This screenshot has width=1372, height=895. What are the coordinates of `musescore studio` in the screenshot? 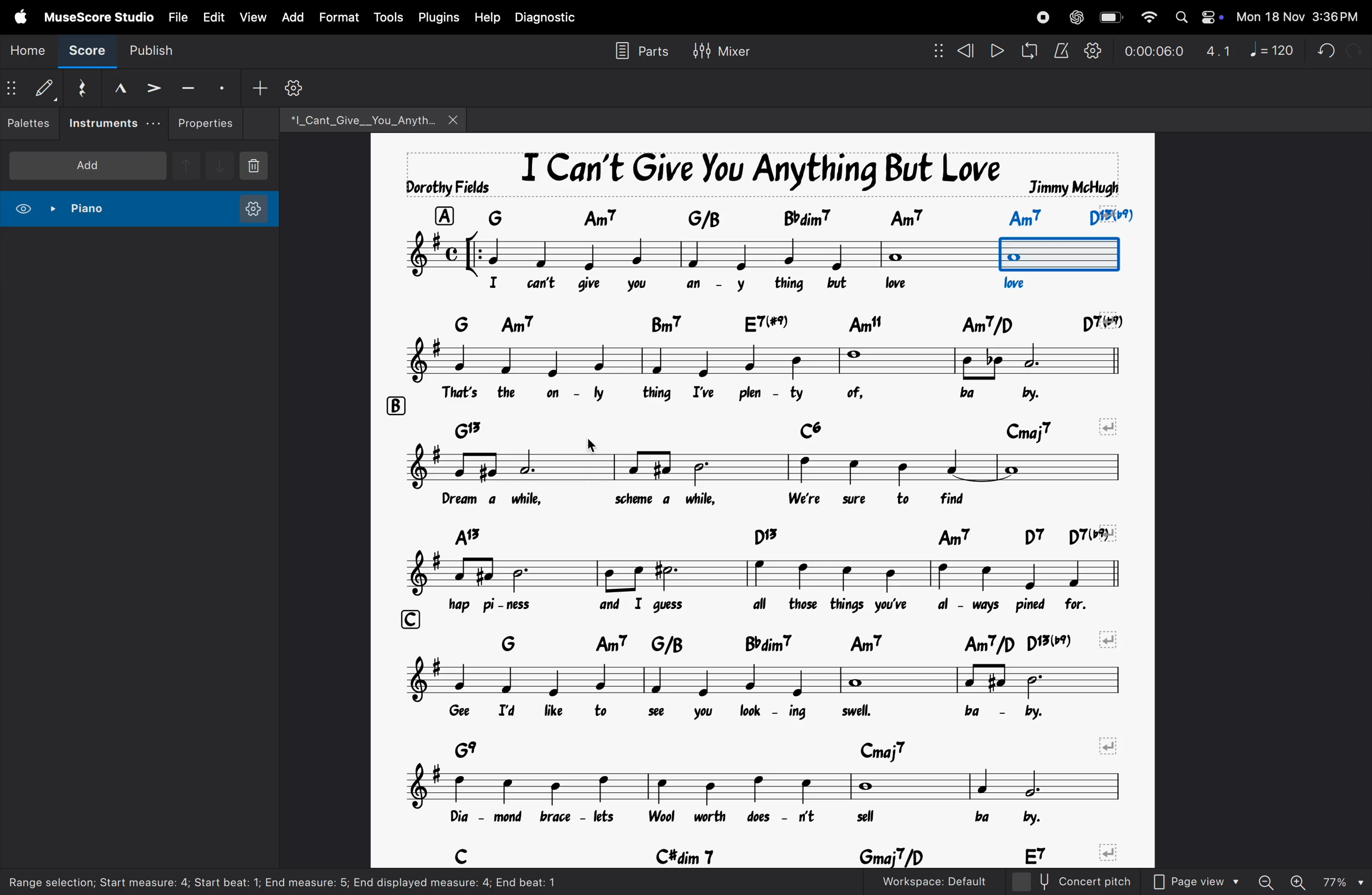 It's located at (96, 16).